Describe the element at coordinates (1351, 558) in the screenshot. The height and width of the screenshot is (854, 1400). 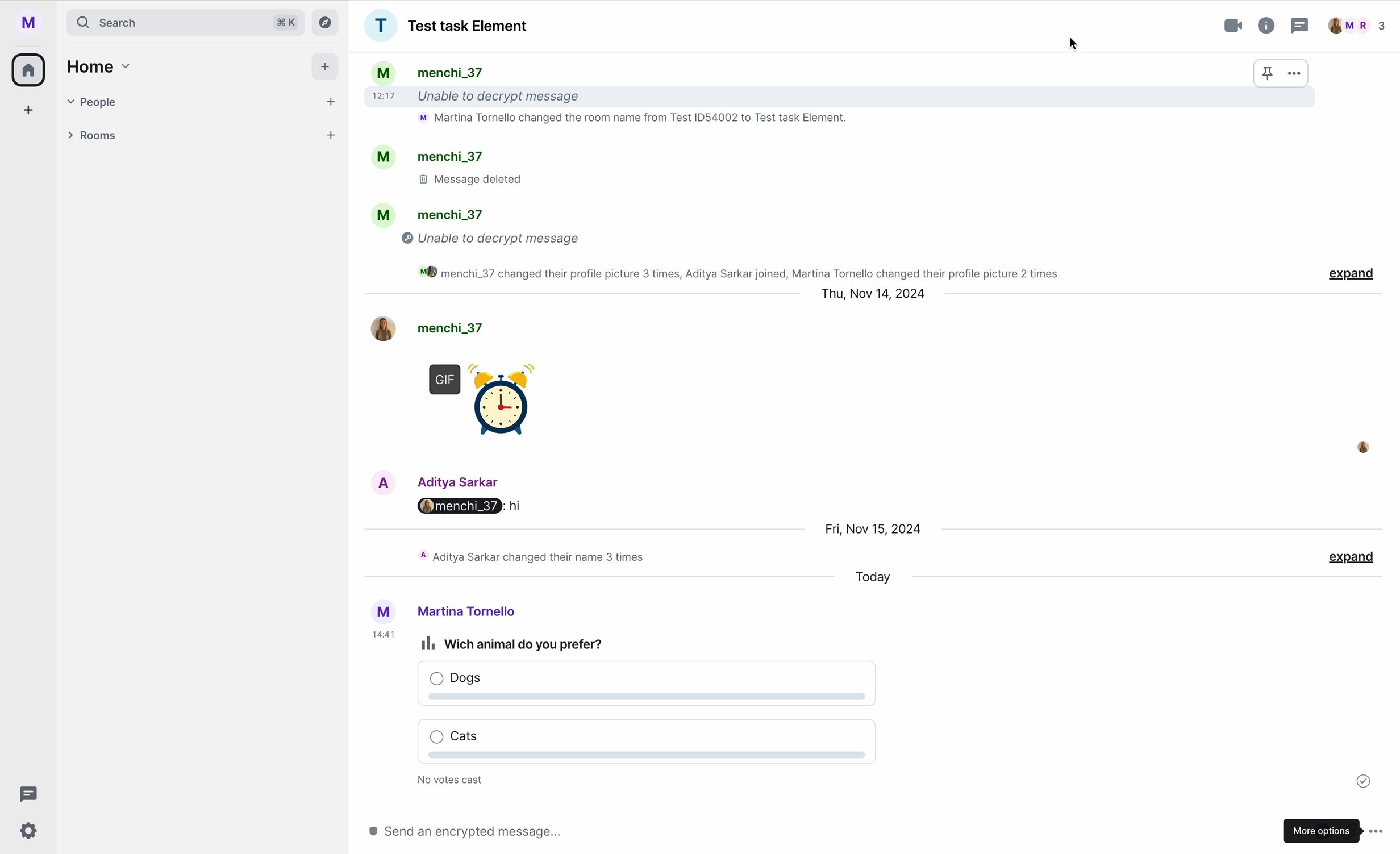
I see `expand` at that location.